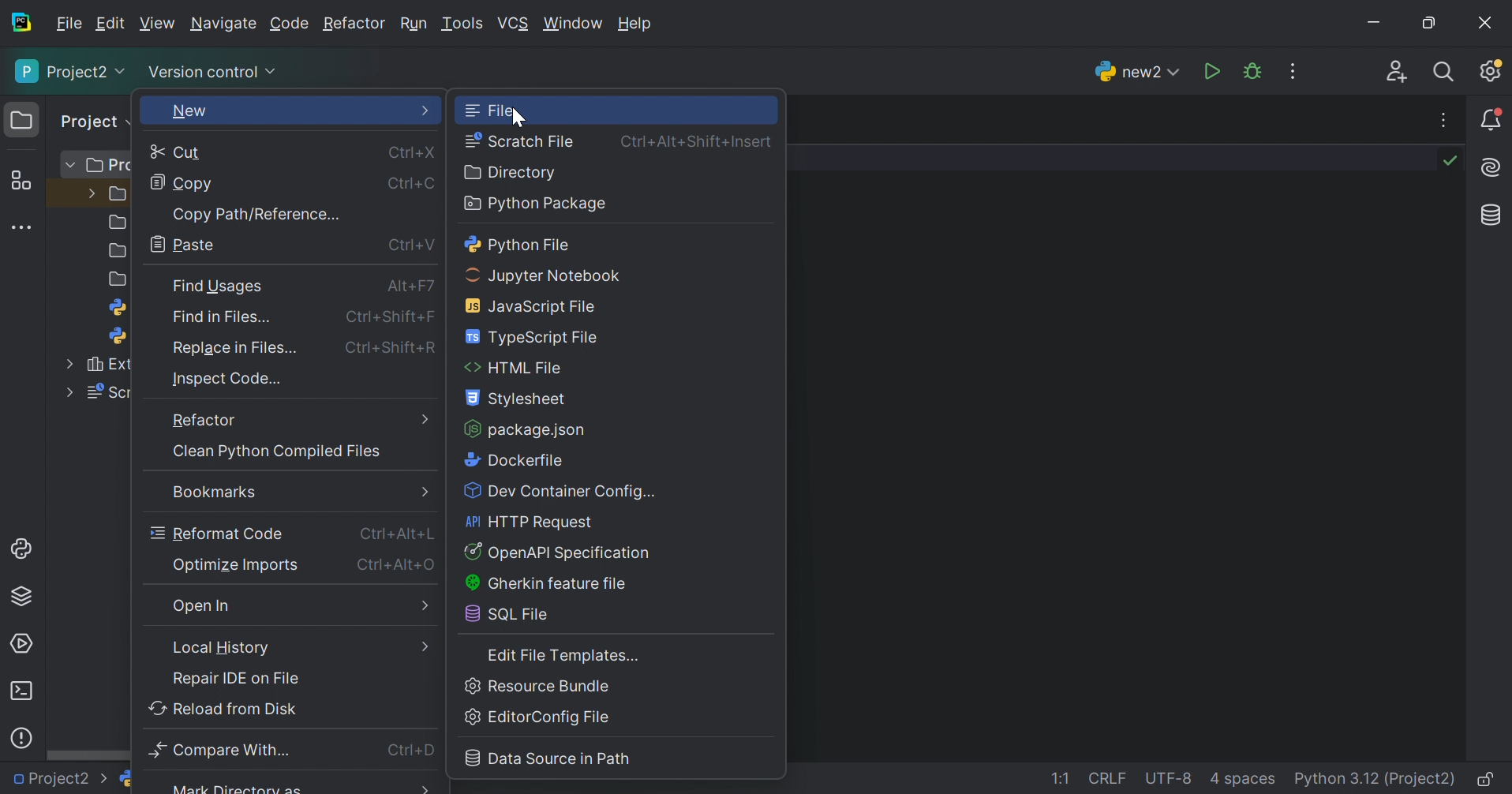 The width and height of the screenshot is (1512, 794). Describe the element at coordinates (535, 337) in the screenshot. I see `TypeScript file` at that location.